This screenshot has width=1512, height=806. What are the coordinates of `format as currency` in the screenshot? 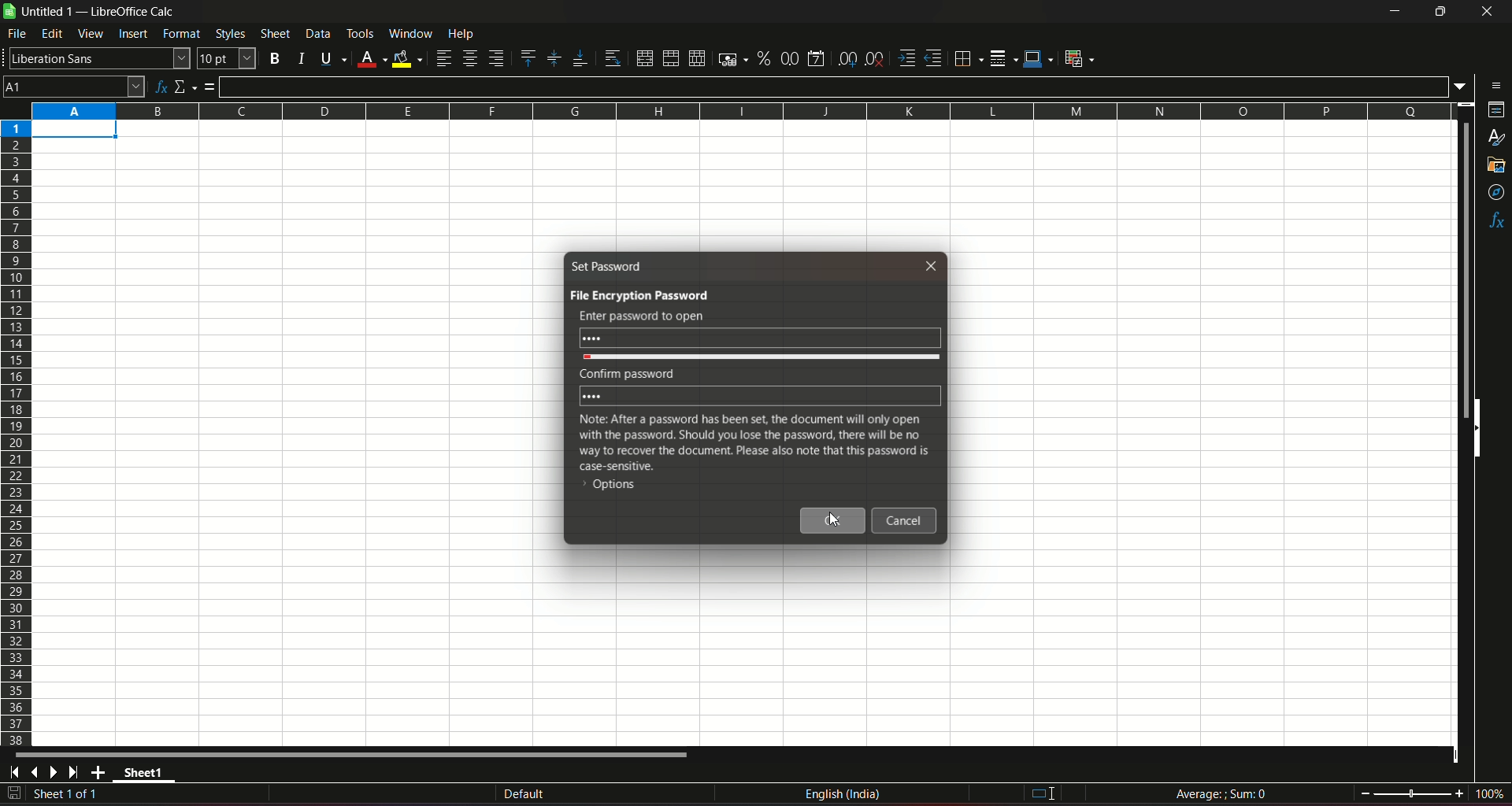 It's located at (729, 59).